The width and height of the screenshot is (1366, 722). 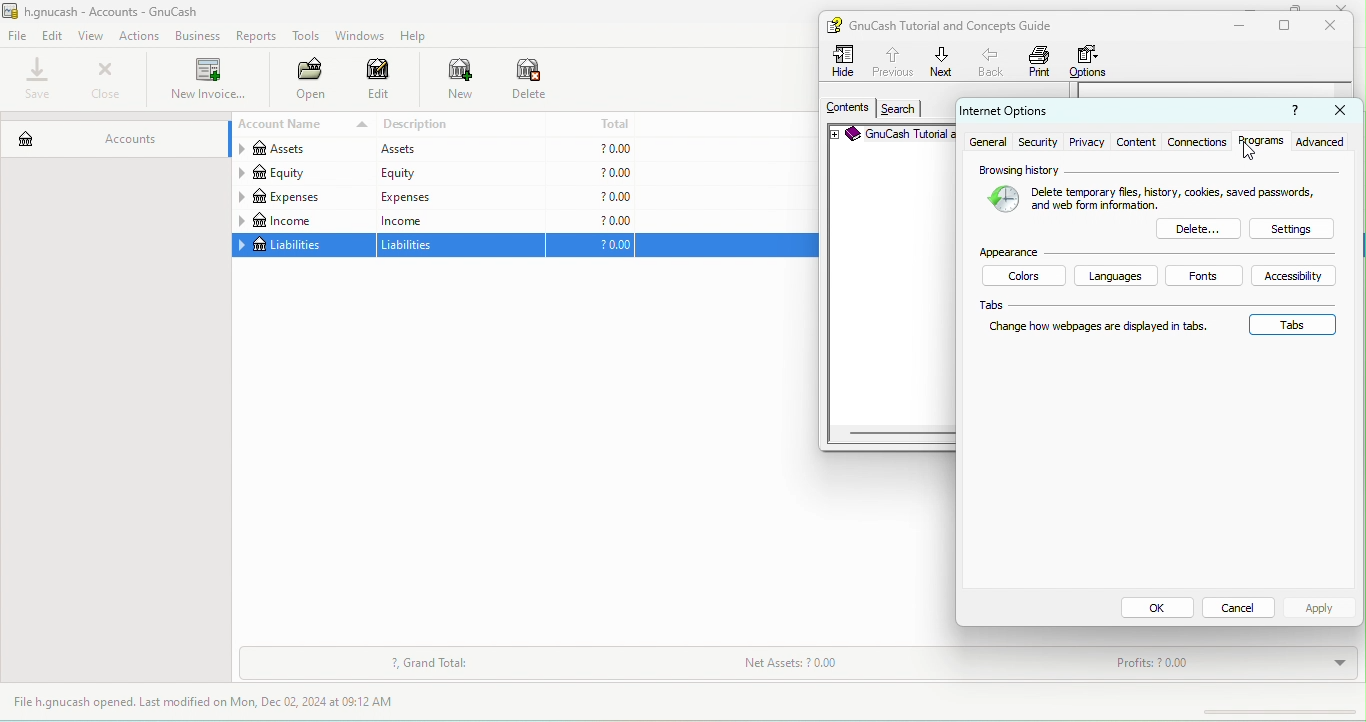 I want to click on internet options, so click(x=1037, y=112).